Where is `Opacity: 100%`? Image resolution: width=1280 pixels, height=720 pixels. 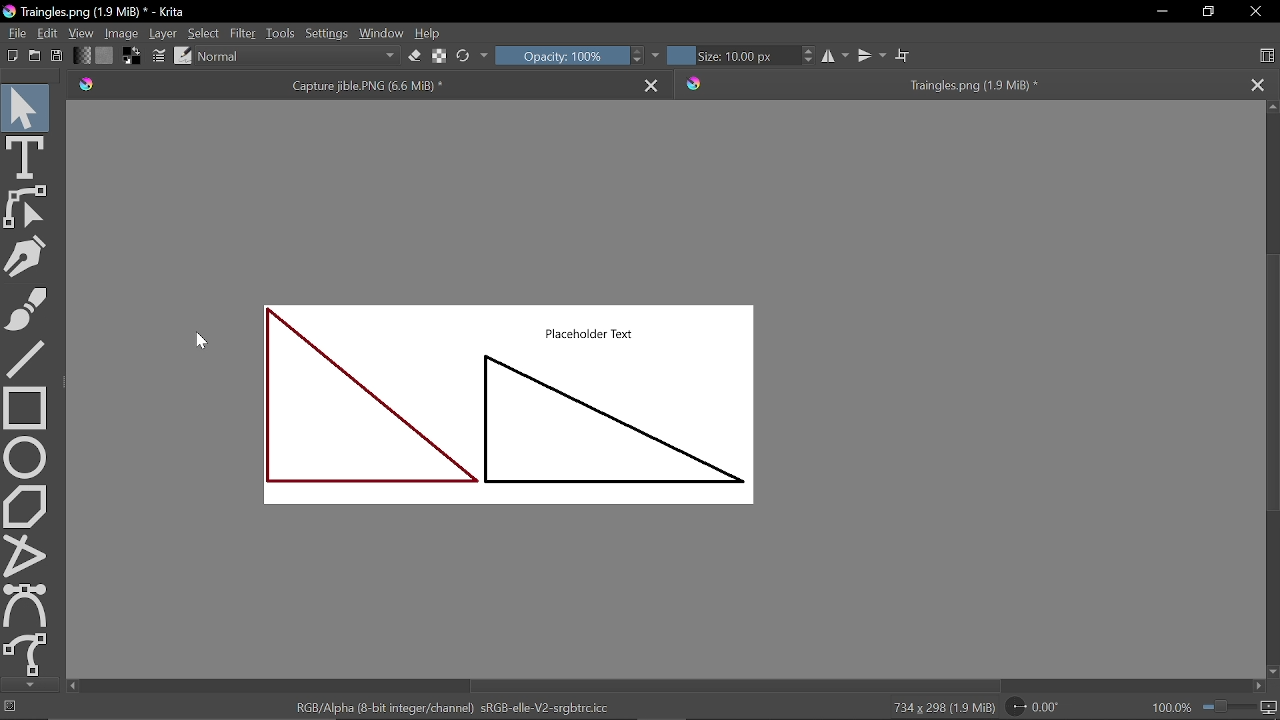 Opacity: 100% is located at coordinates (560, 56).